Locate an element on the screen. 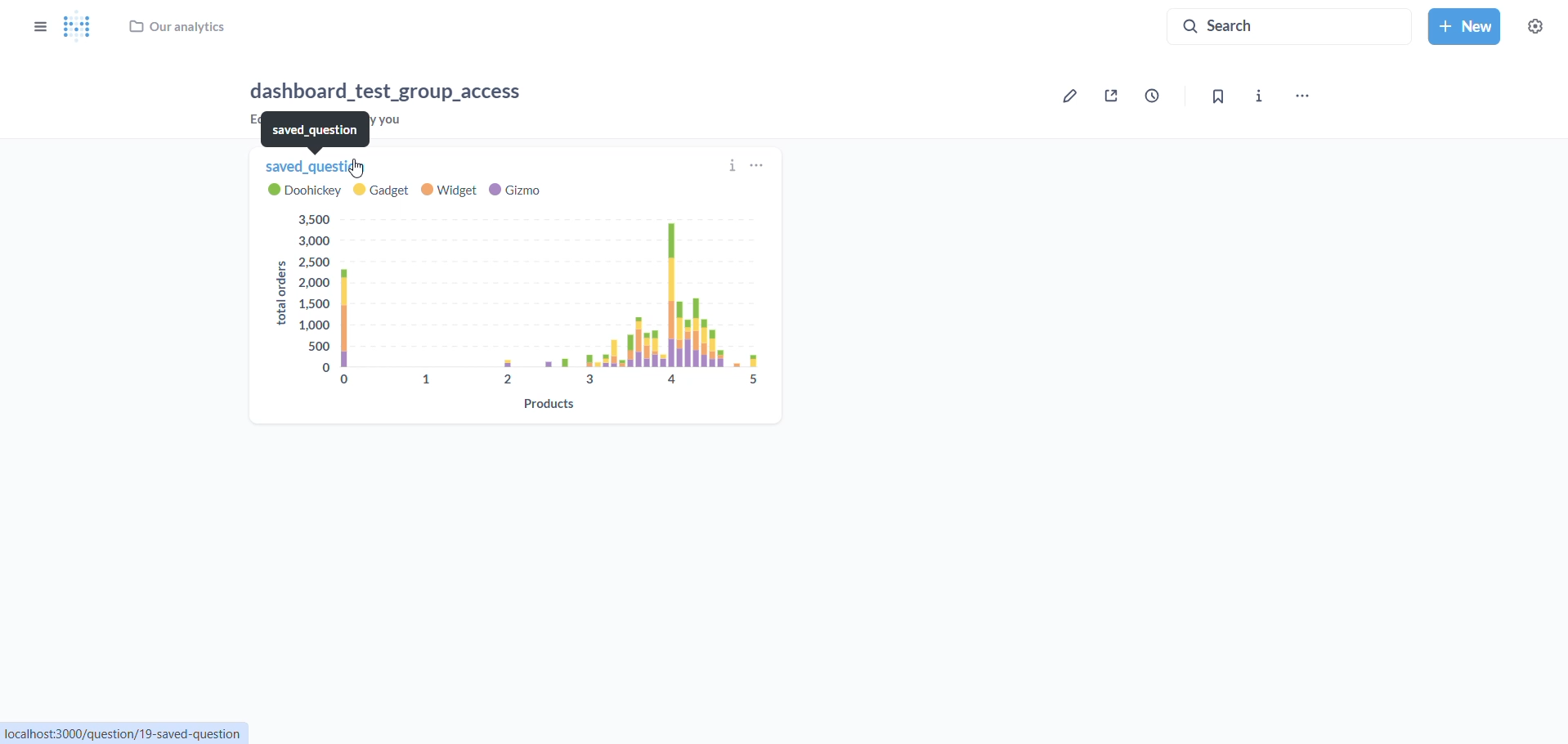 This screenshot has height=744, width=1568. saved_question is located at coordinates (316, 130).